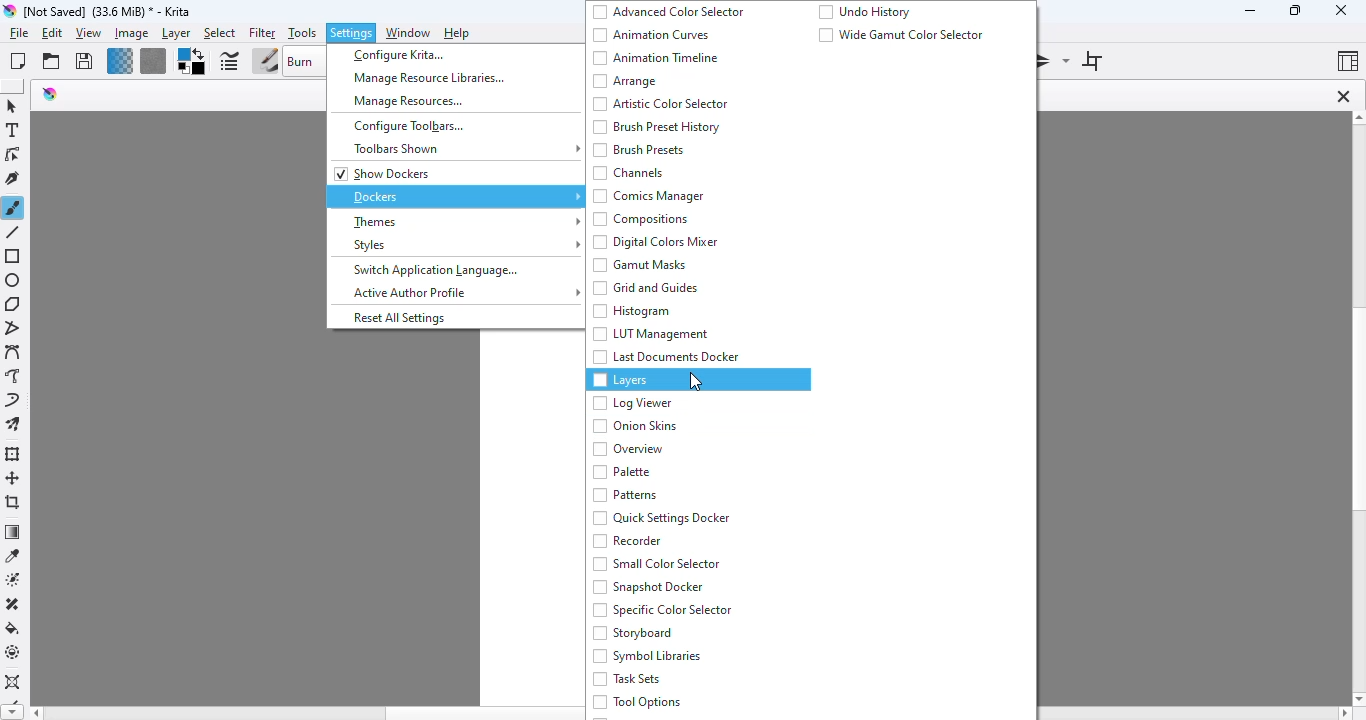 This screenshot has width=1366, height=720. Describe the element at coordinates (301, 33) in the screenshot. I see `tools` at that location.